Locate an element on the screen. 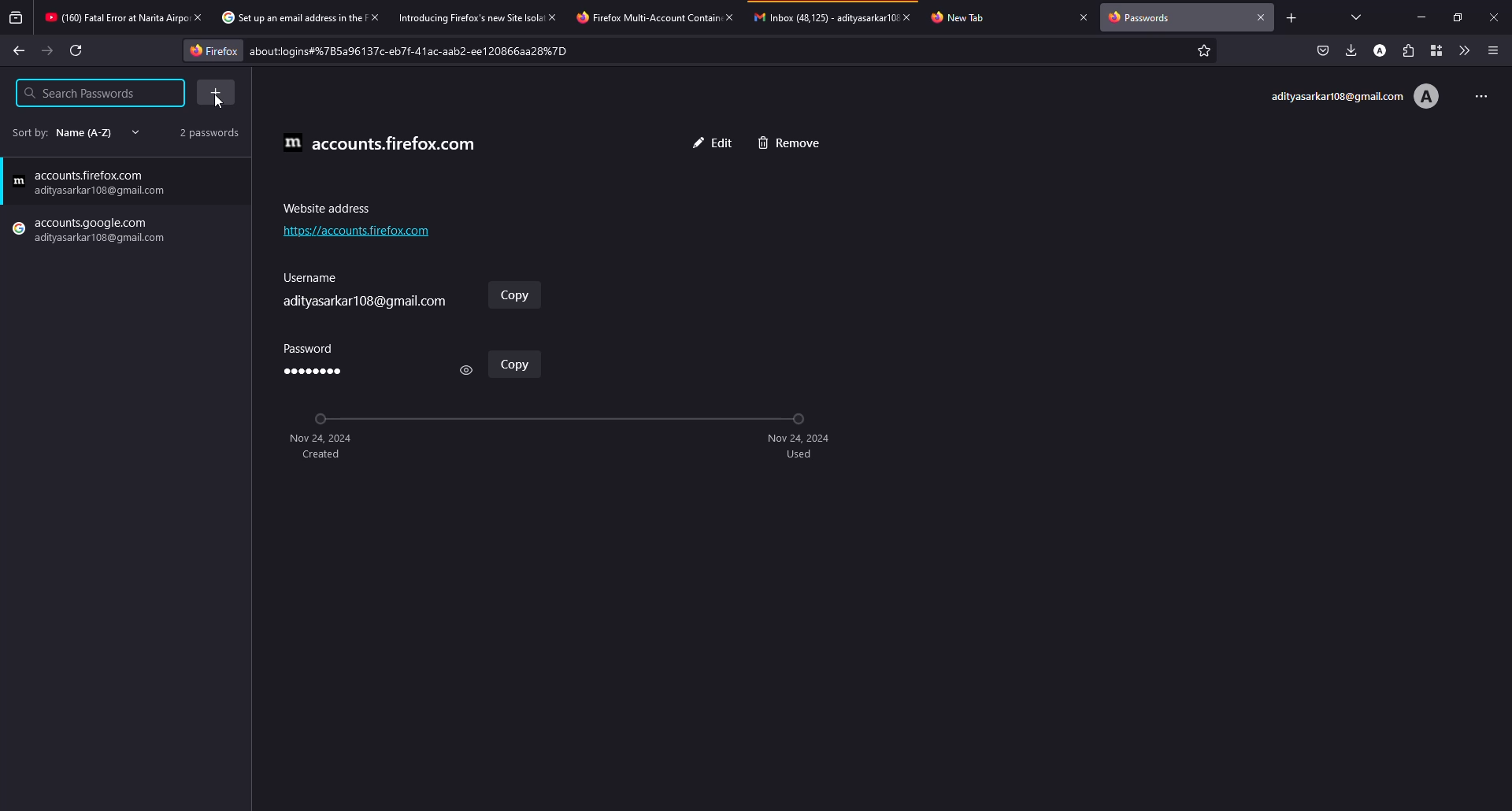 The width and height of the screenshot is (1512, 811). about is located at coordinates (414, 51).